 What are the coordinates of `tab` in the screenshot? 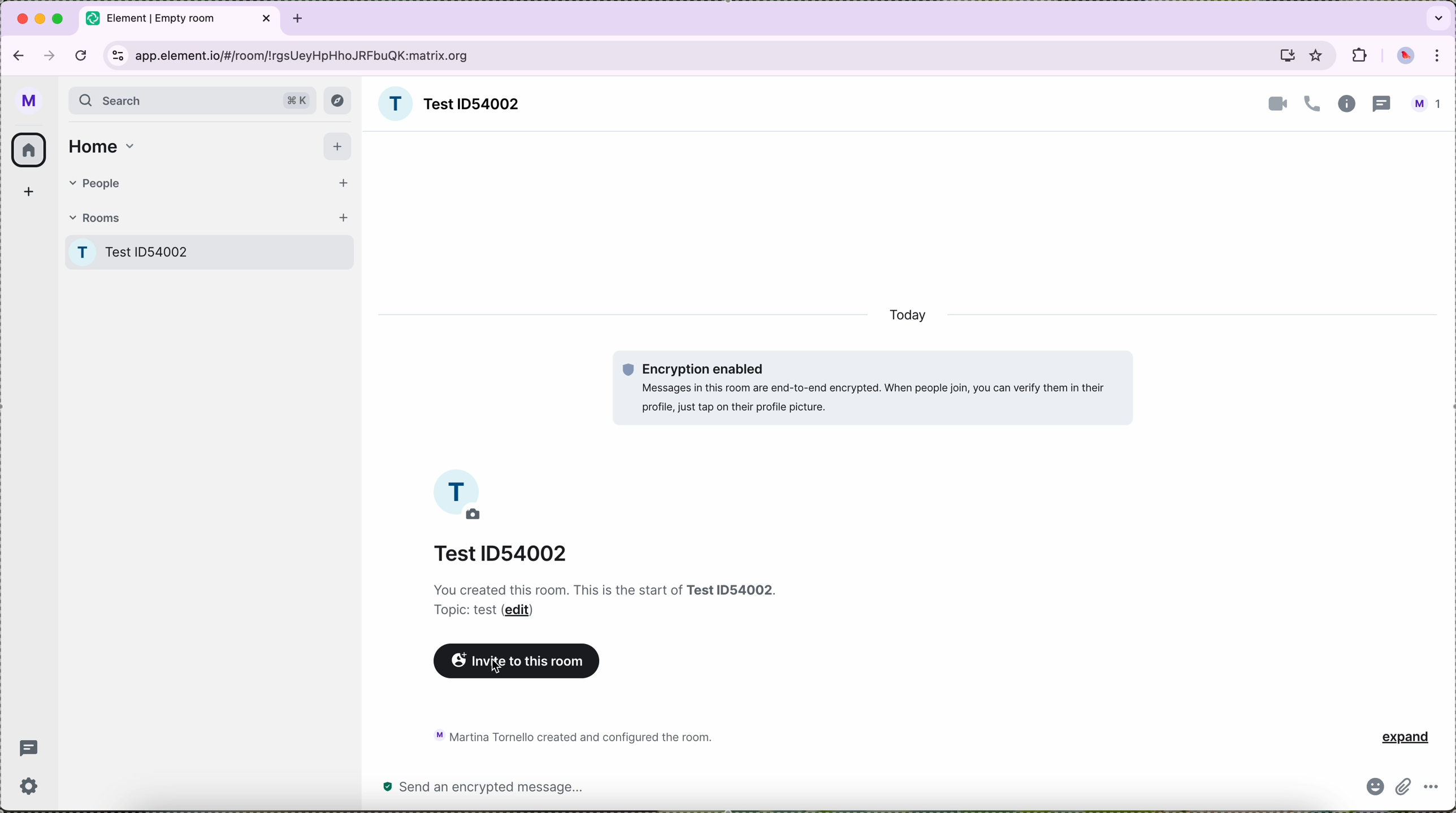 It's located at (298, 17).